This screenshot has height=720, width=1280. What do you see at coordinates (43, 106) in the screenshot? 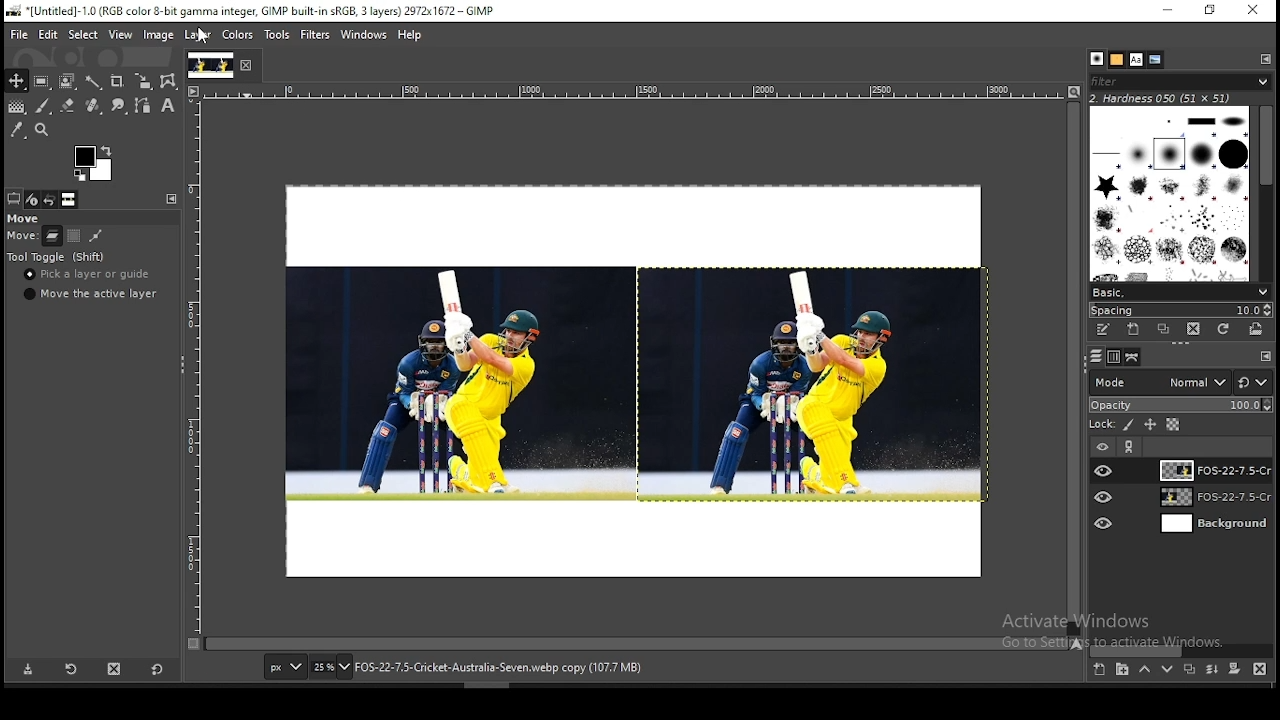
I see `brush tool` at bounding box center [43, 106].